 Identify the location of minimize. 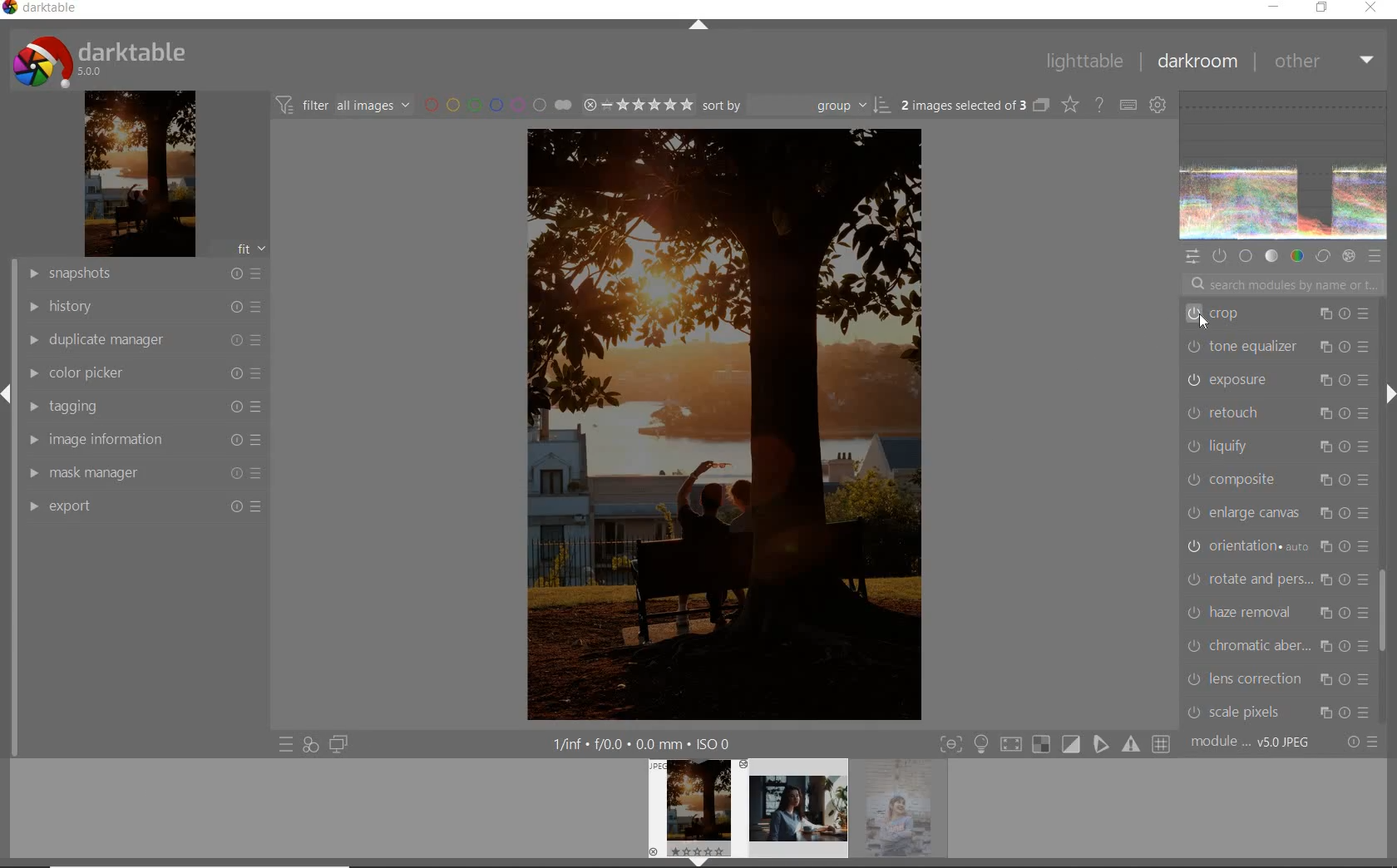
(1273, 6).